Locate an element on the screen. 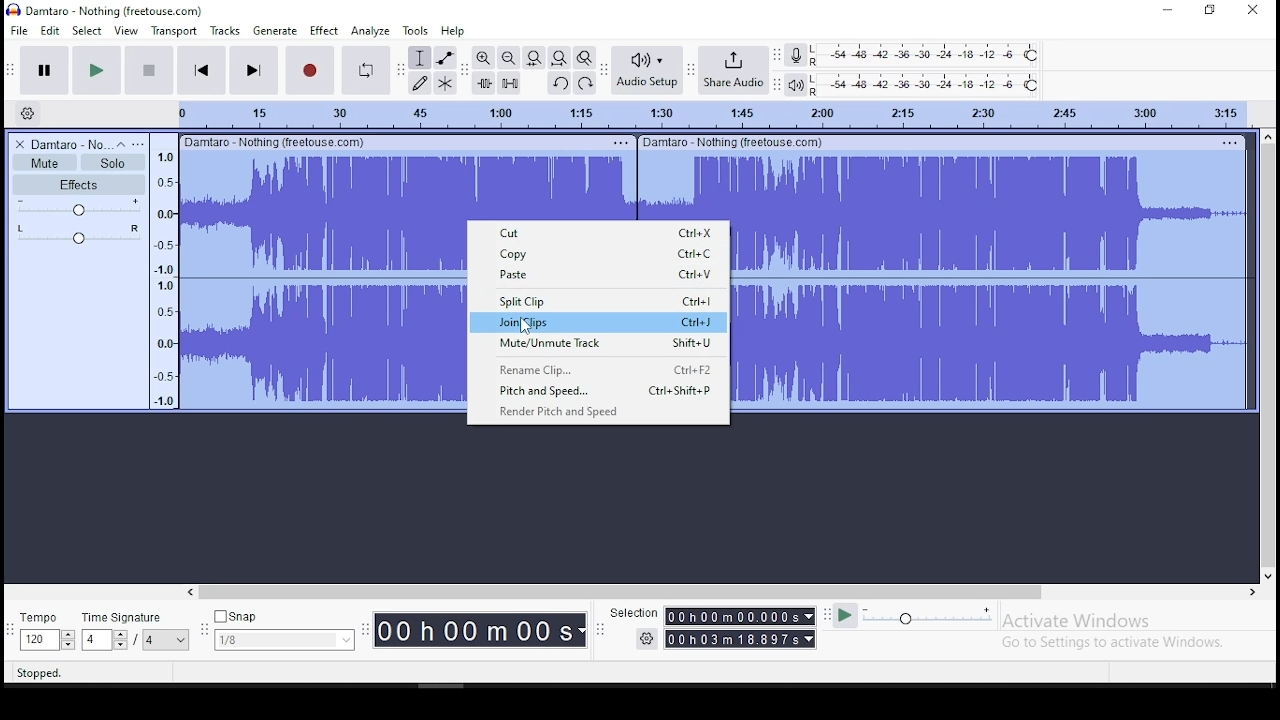 The height and width of the screenshot is (720, 1280). volume is located at coordinates (79, 209).